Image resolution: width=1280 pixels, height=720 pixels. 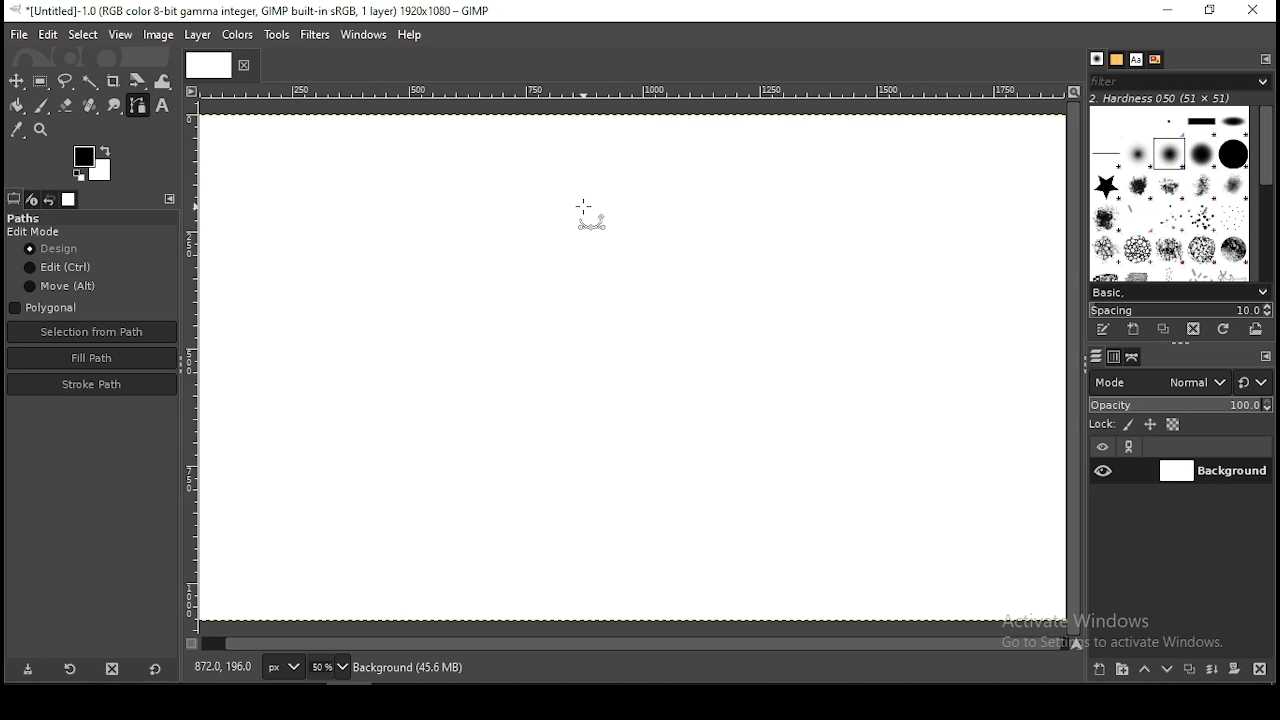 What do you see at coordinates (1102, 423) in the screenshot?
I see `lock` at bounding box center [1102, 423].